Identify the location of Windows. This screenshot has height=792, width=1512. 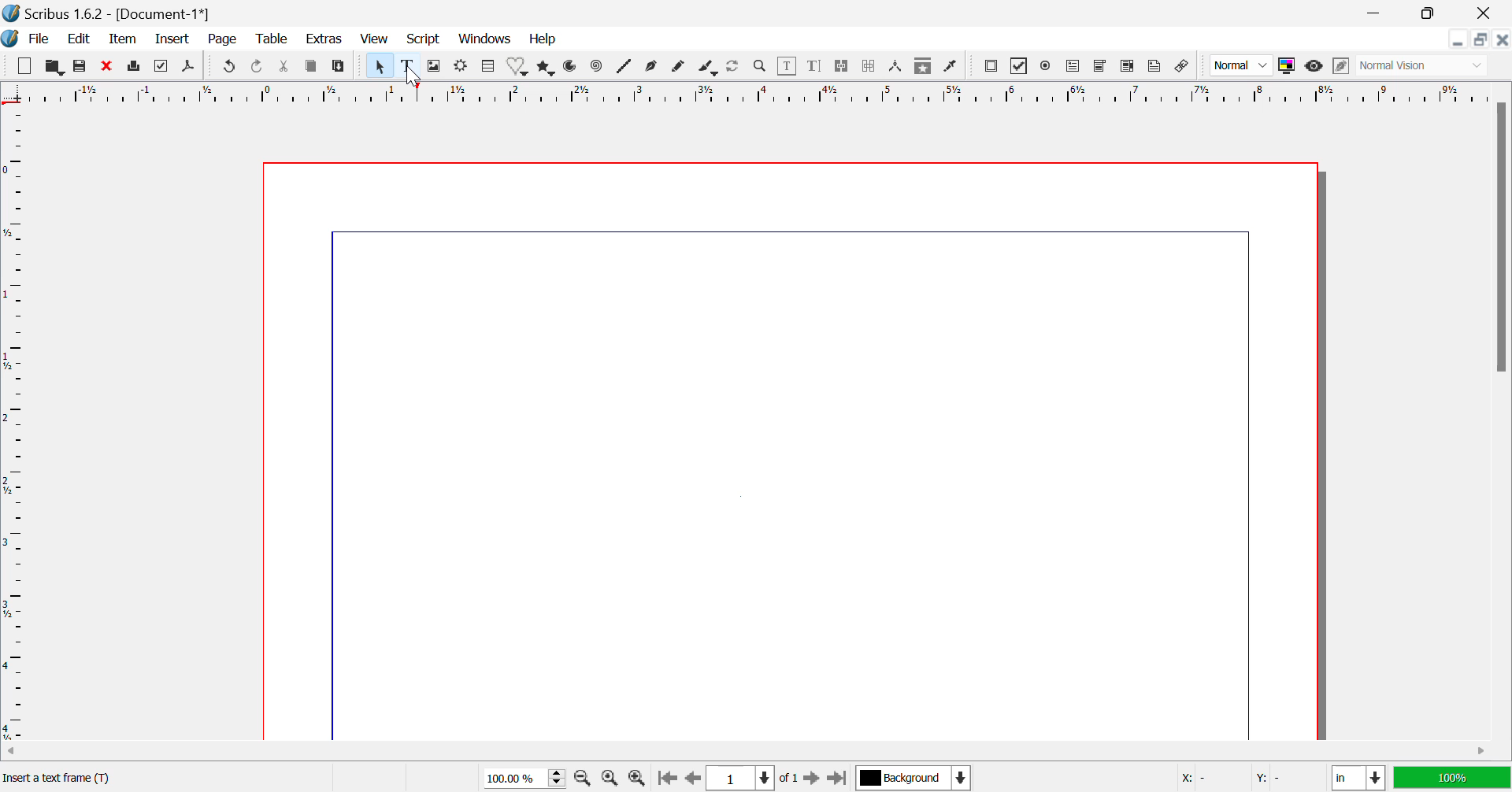
(485, 39).